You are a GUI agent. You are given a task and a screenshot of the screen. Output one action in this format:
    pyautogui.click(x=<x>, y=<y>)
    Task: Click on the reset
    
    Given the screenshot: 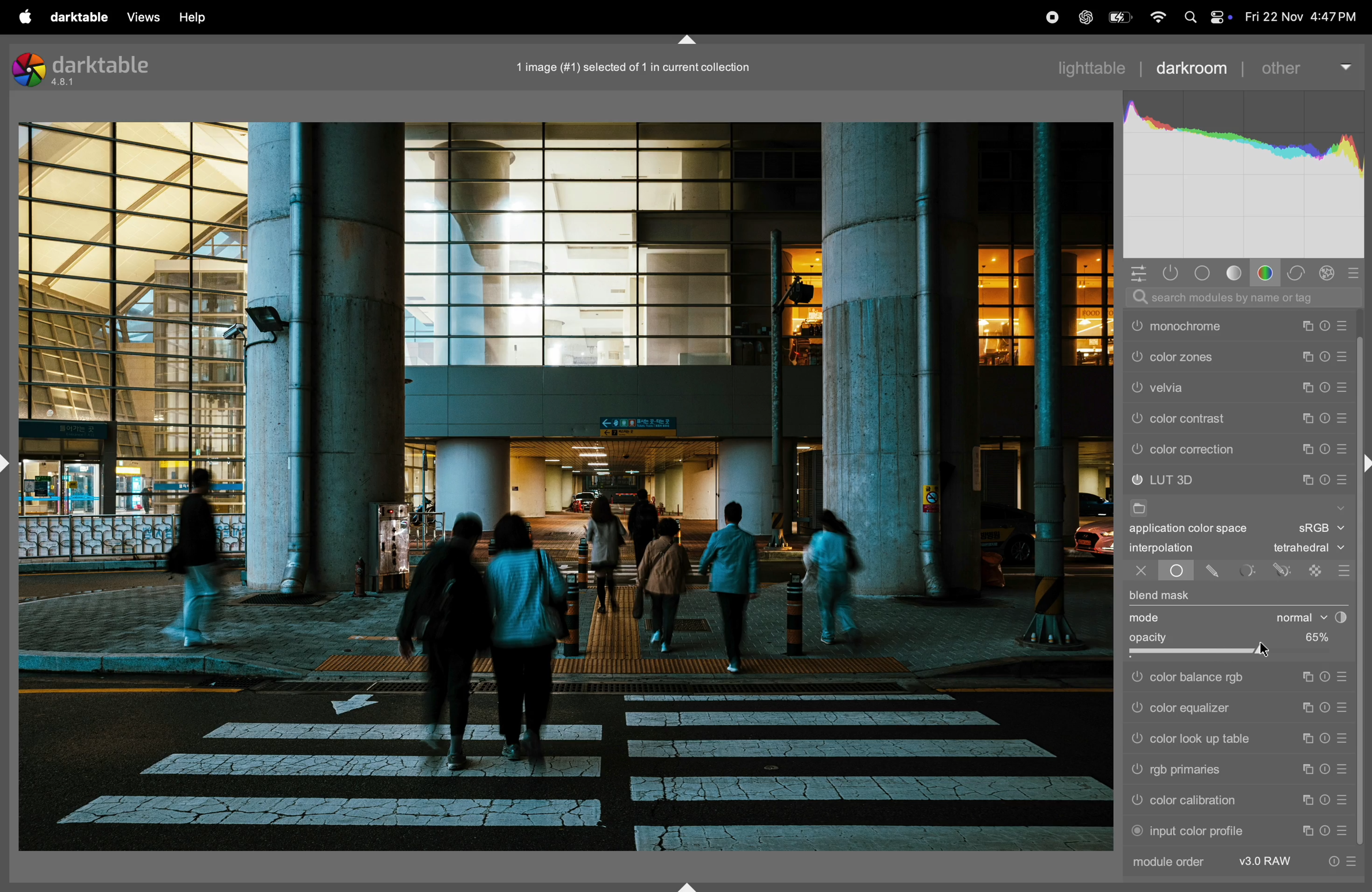 What is the action you would take?
    pyautogui.click(x=1325, y=384)
    